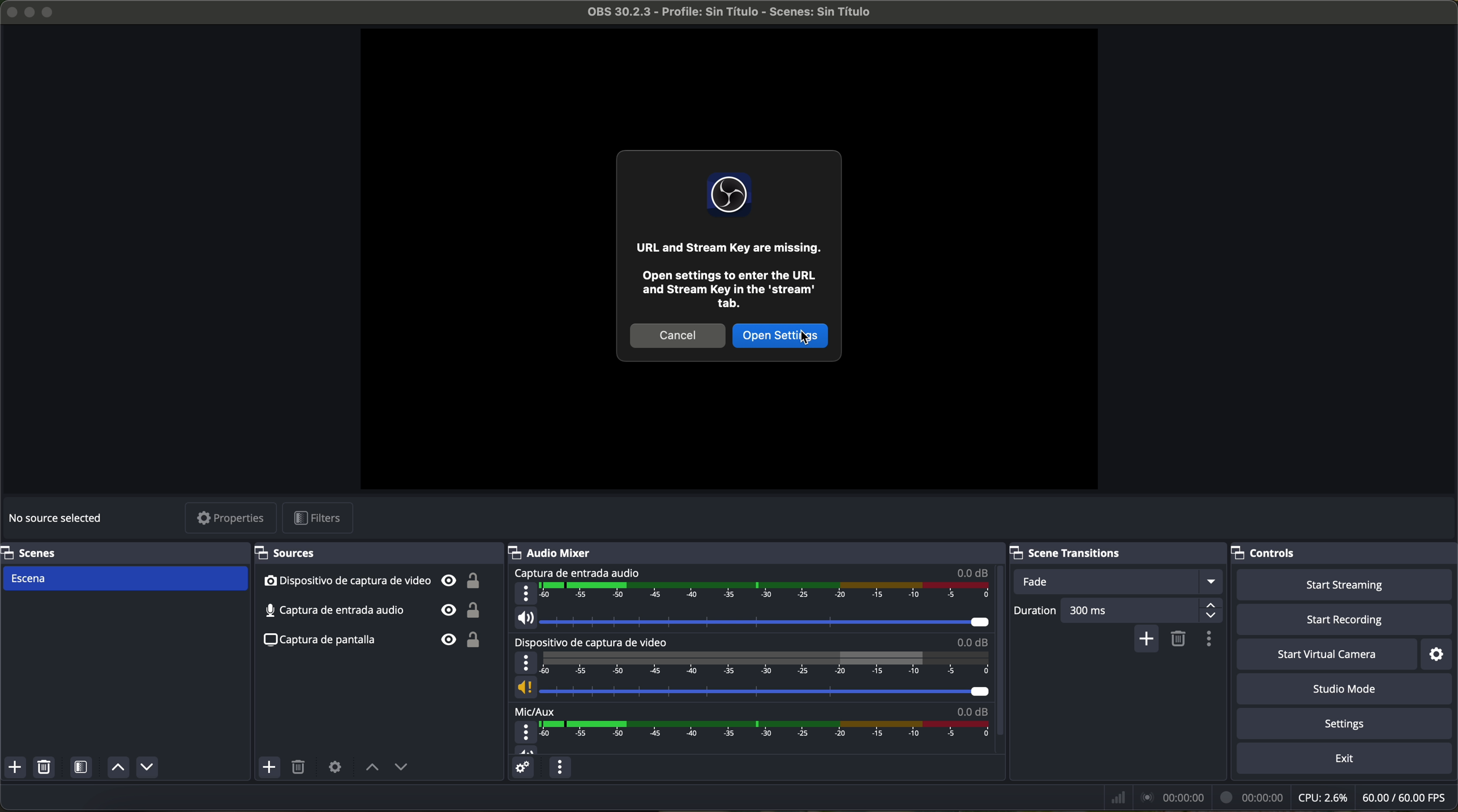 The image size is (1458, 812). What do you see at coordinates (1347, 725) in the screenshot?
I see `settings` at bounding box center [1347, 725].